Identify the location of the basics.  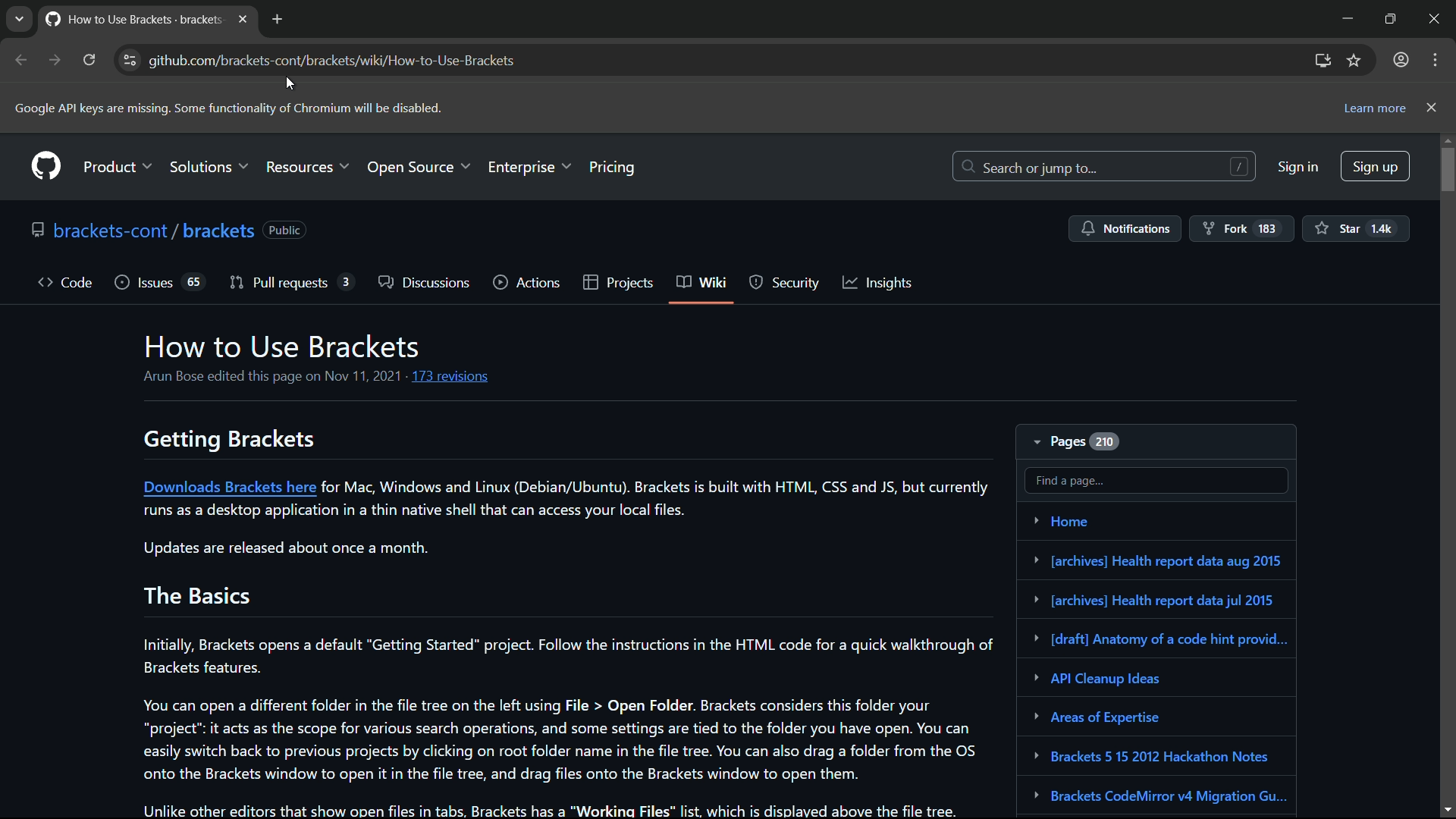
(195, 595).